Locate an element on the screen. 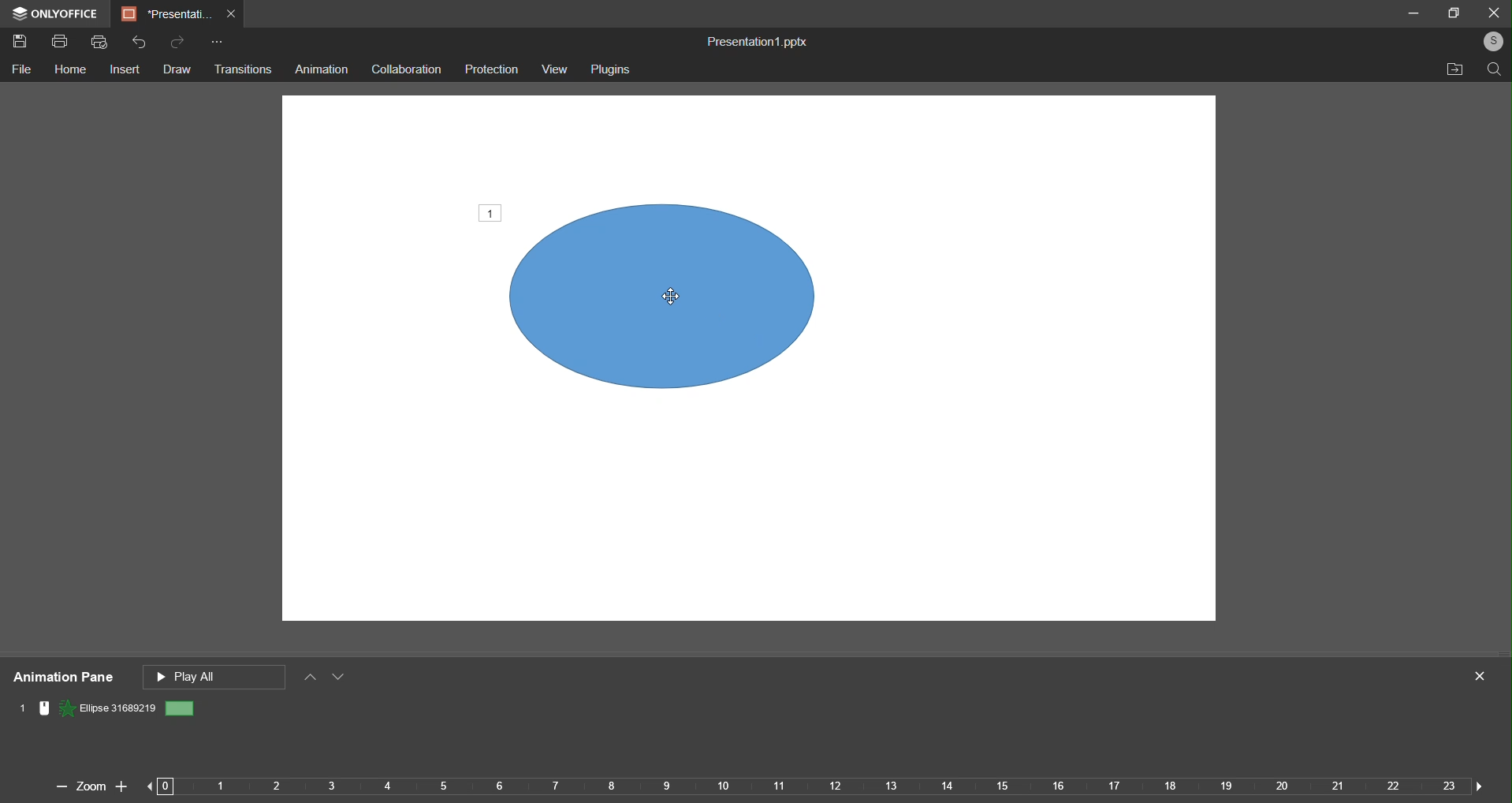 The height and width of the screenshot is (803, 1512). collaboration is located at coordinates (404, 68).